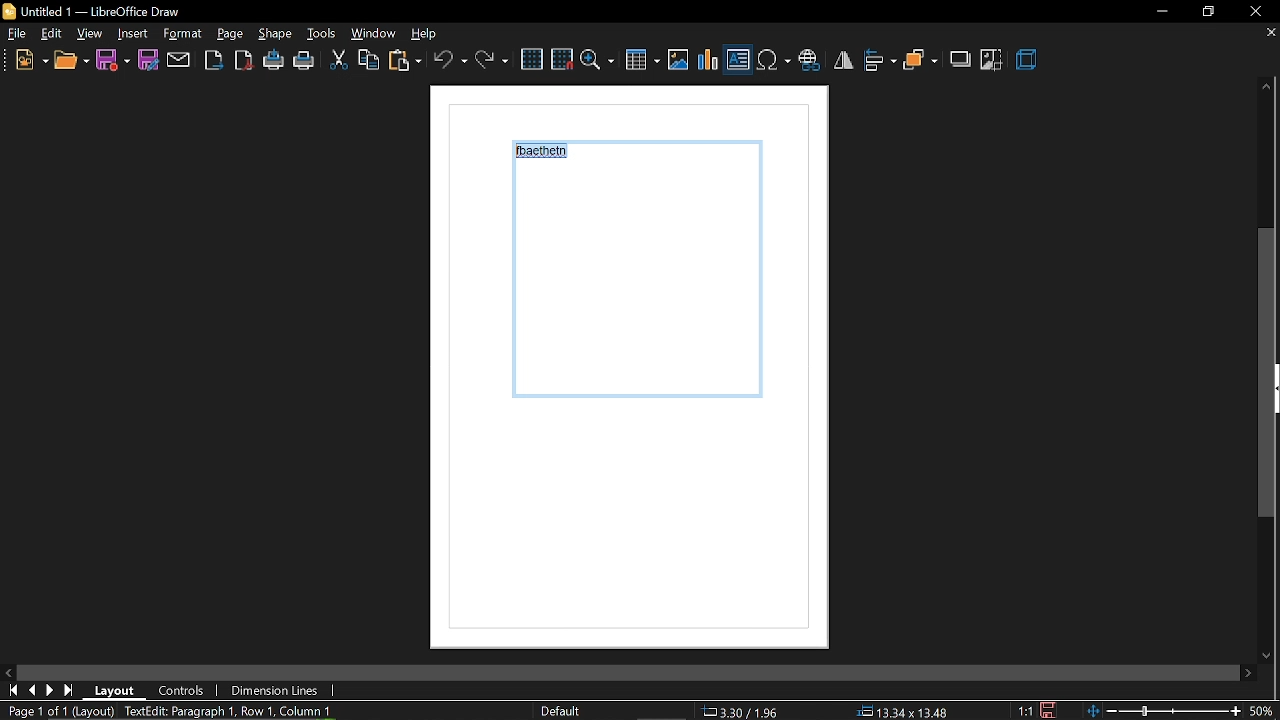 Image resolution: width=1280 pixels, height=720 pixels. What do you see at coordinates (32, 691) in the screenshot?
I see `go to previous page` at bounding box center [32, 691].